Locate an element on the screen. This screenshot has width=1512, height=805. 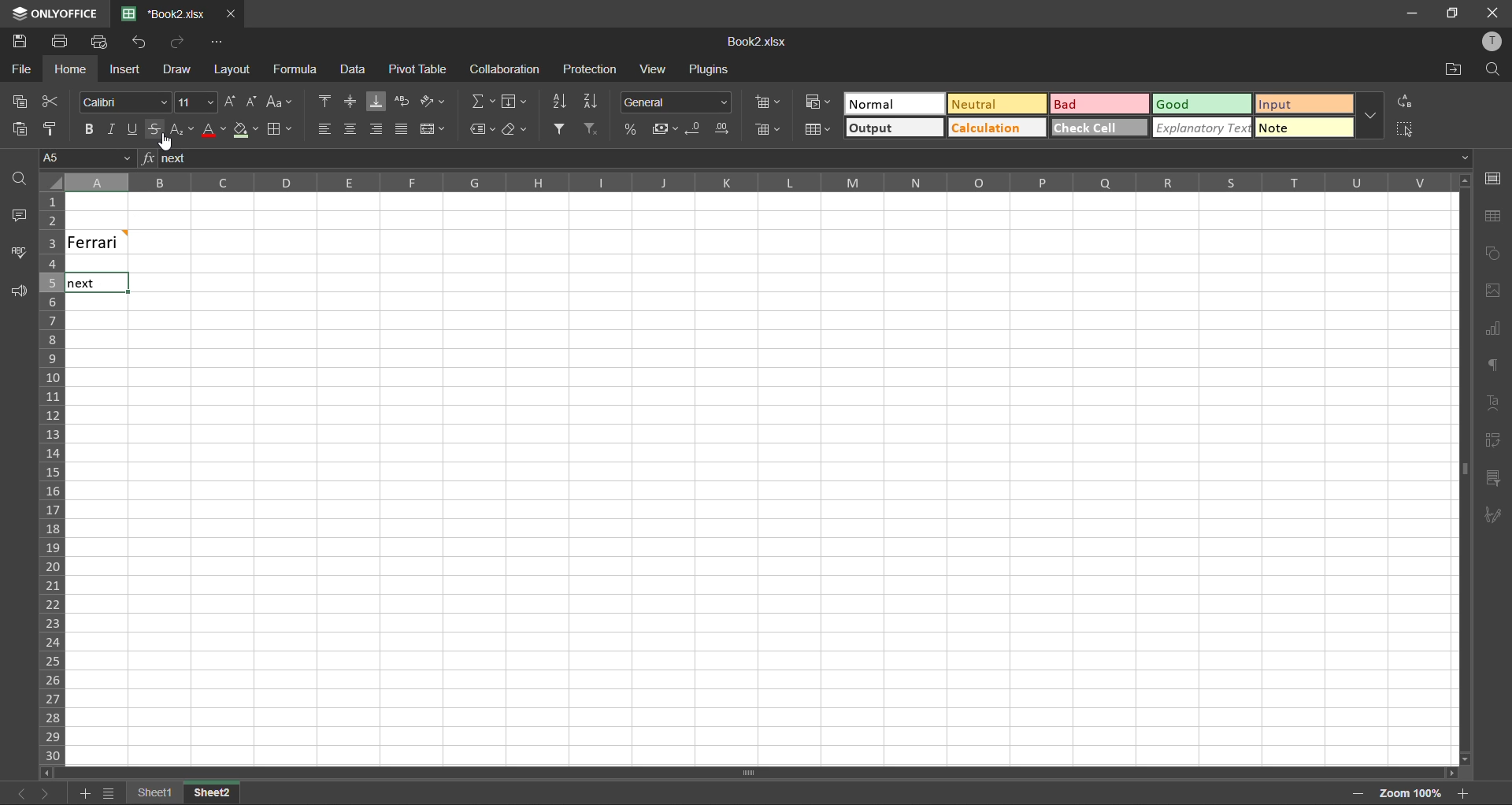
draw is located at coordinates (177, 70).